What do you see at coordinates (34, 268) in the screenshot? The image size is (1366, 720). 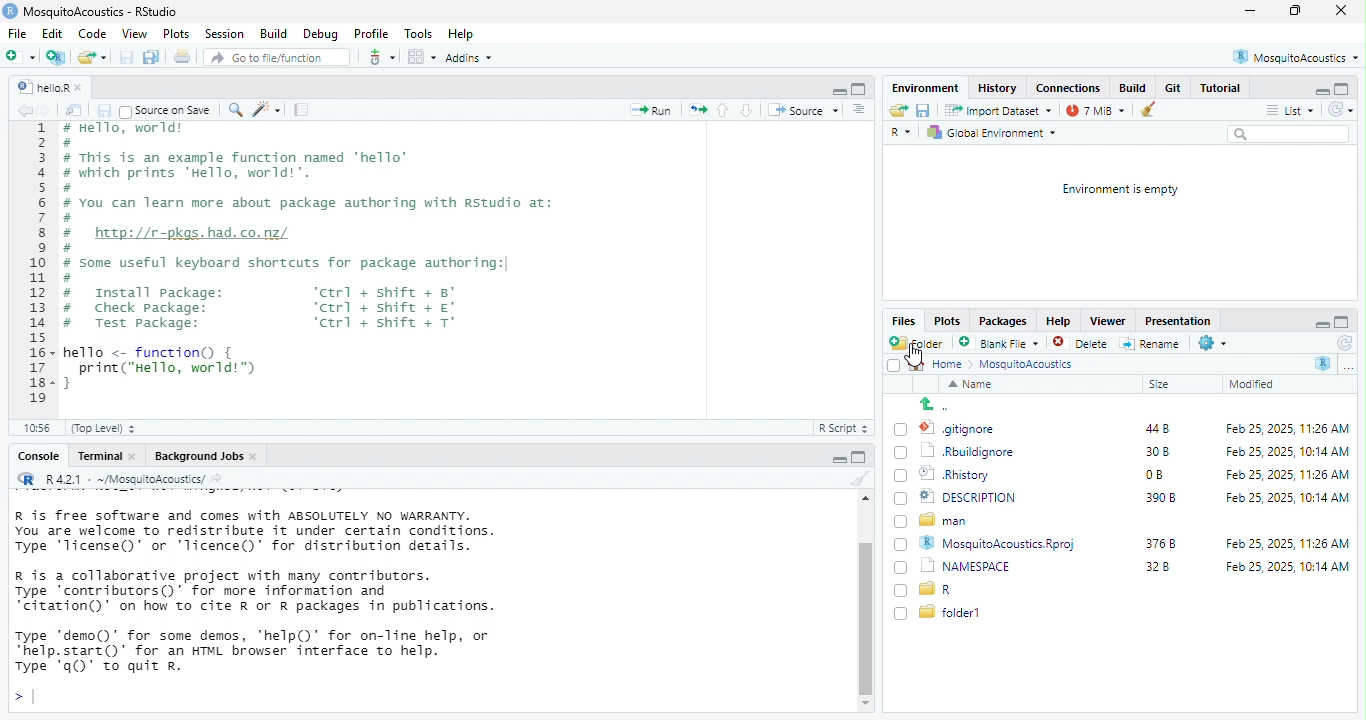 I see `+
2
3
4
5
6
7
8
9

10
11
12
13
14
15
16
17
18
19` at bounding box center [34, 268].